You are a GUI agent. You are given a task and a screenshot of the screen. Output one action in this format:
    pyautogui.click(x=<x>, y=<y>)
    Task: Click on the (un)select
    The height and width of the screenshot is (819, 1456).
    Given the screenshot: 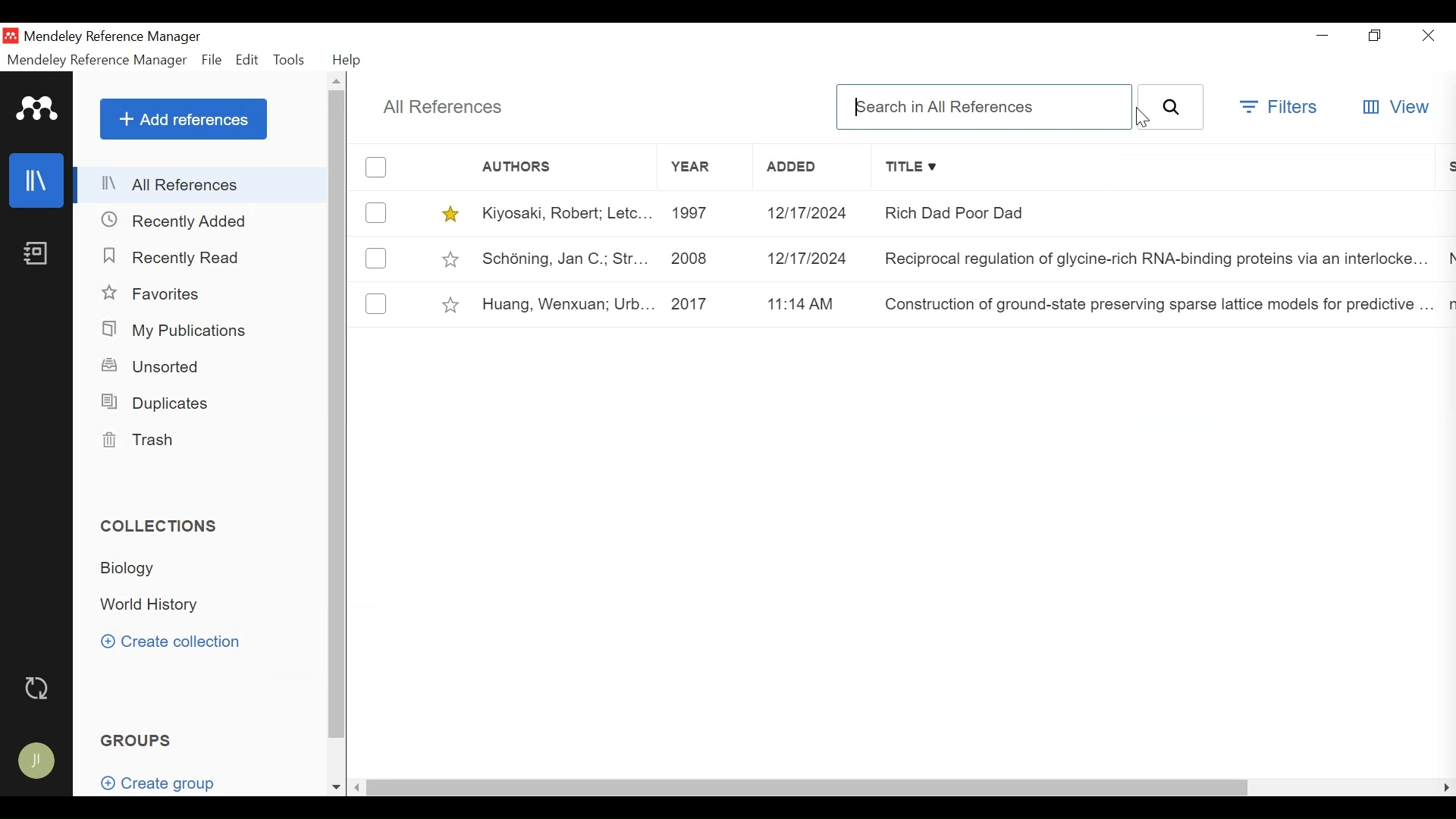 What is the action you would take?
    pyautogui.click(x=375, y=168)
    